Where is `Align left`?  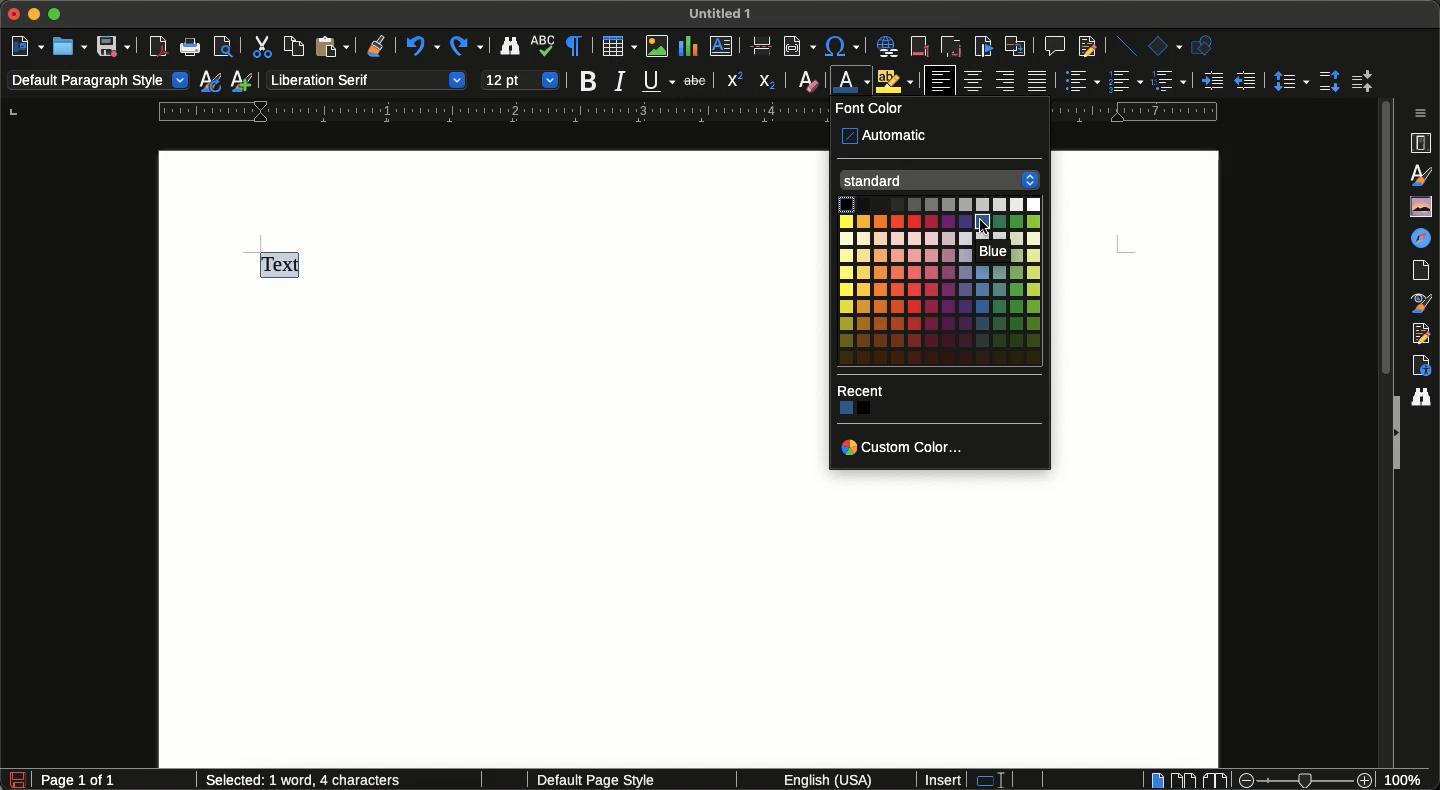 Align left is located at coordinates (939, 81).